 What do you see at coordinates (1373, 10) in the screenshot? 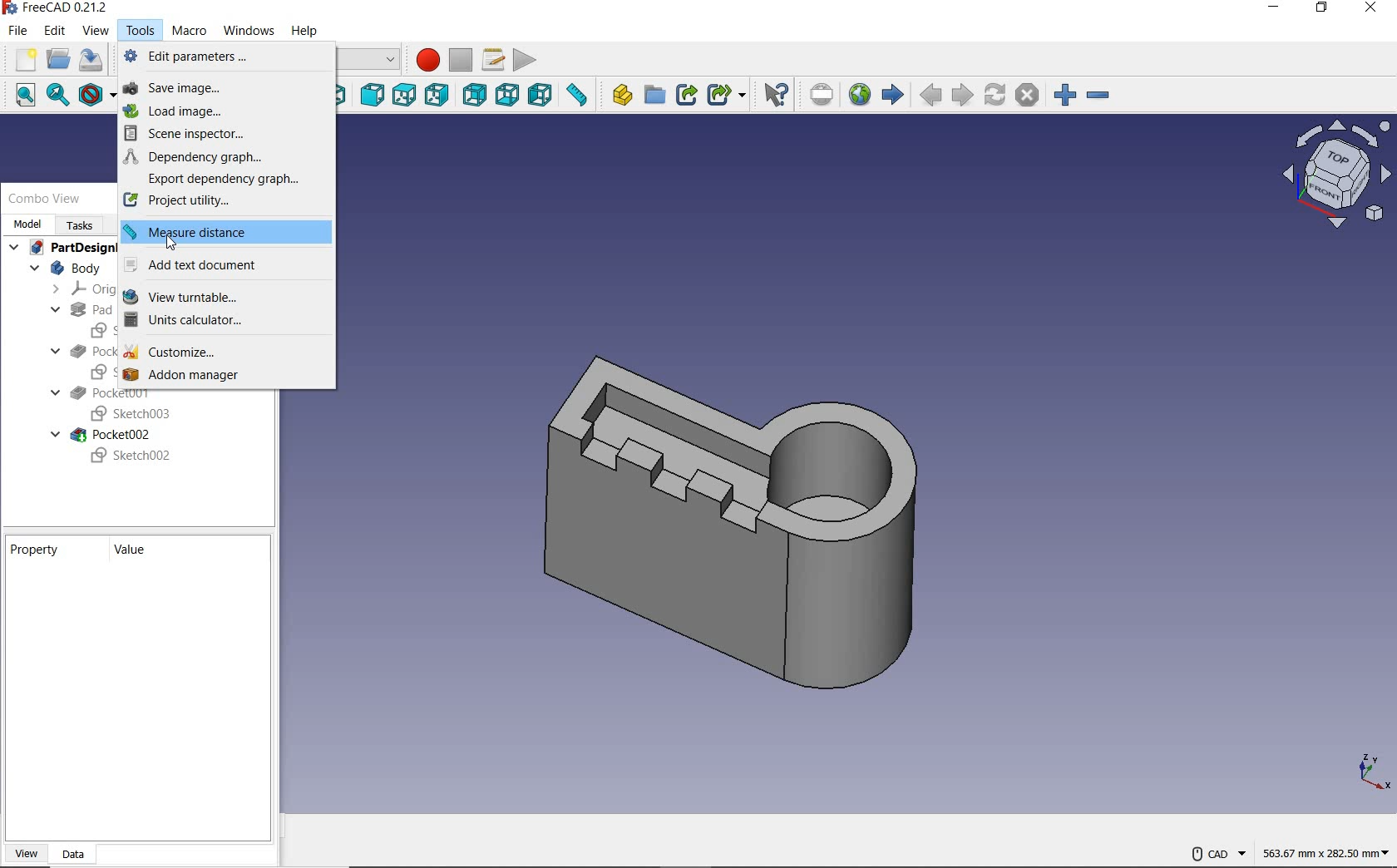
I see `close` at bounding box center [1373, 10].